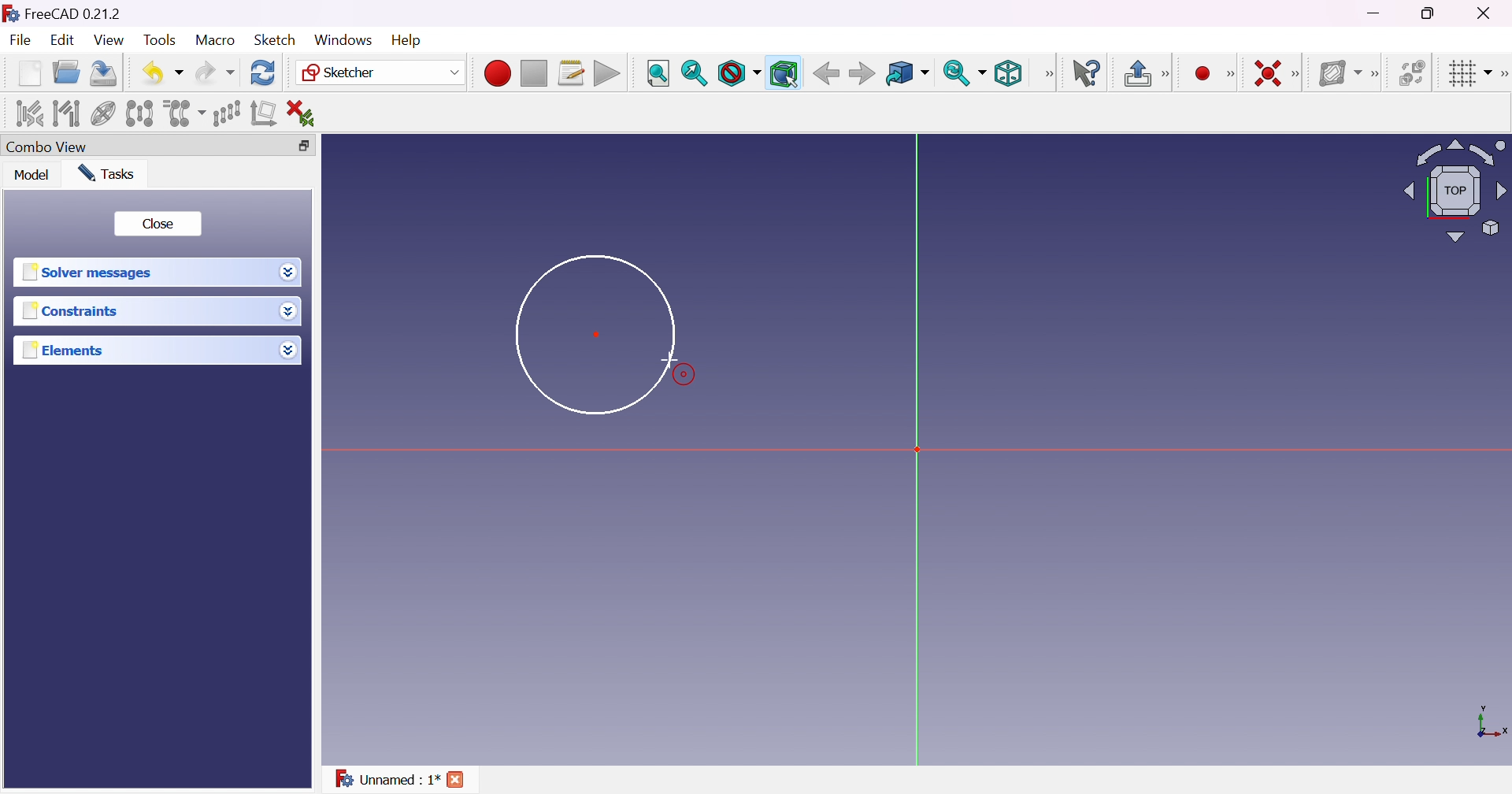 The image size is (1512, 794). Describe the element at coordinates (291, 311) in the screenshot. I see `Drop down` at that location.